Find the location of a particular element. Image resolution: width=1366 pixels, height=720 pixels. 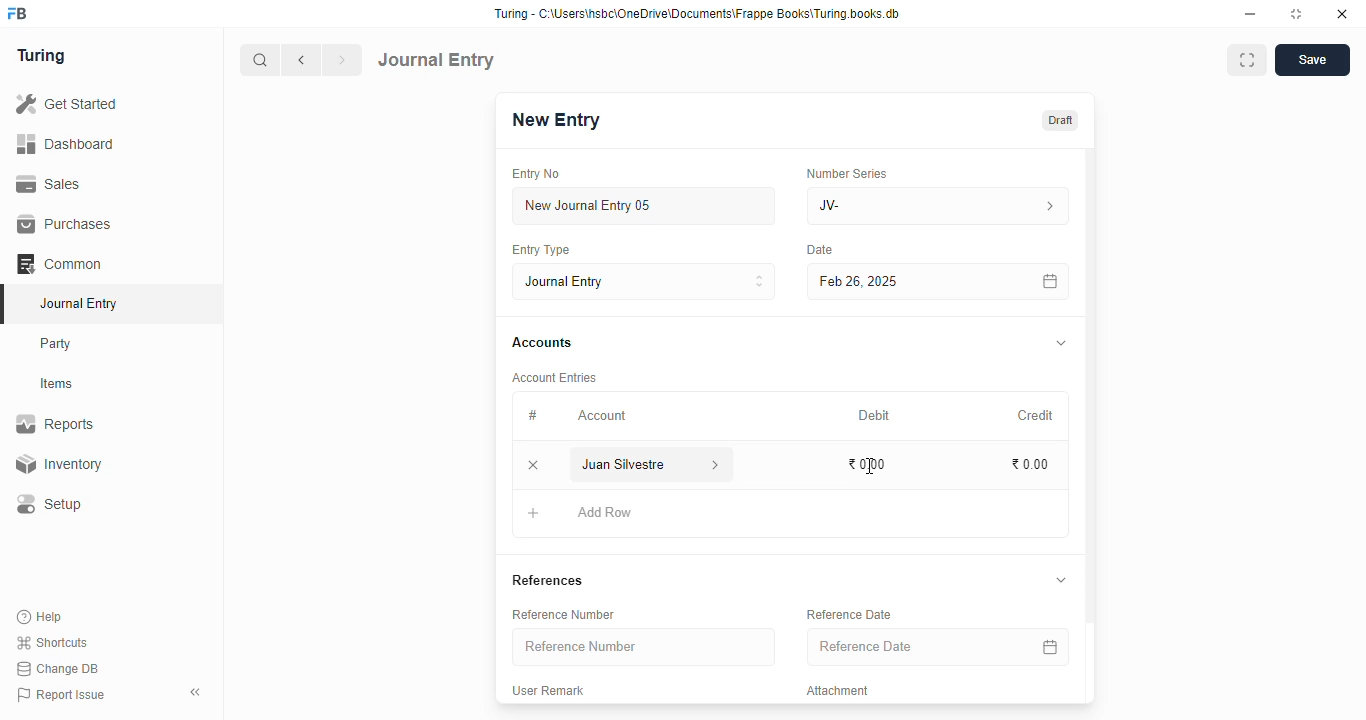

toggle sidebar is located at coordinates (197, 692).